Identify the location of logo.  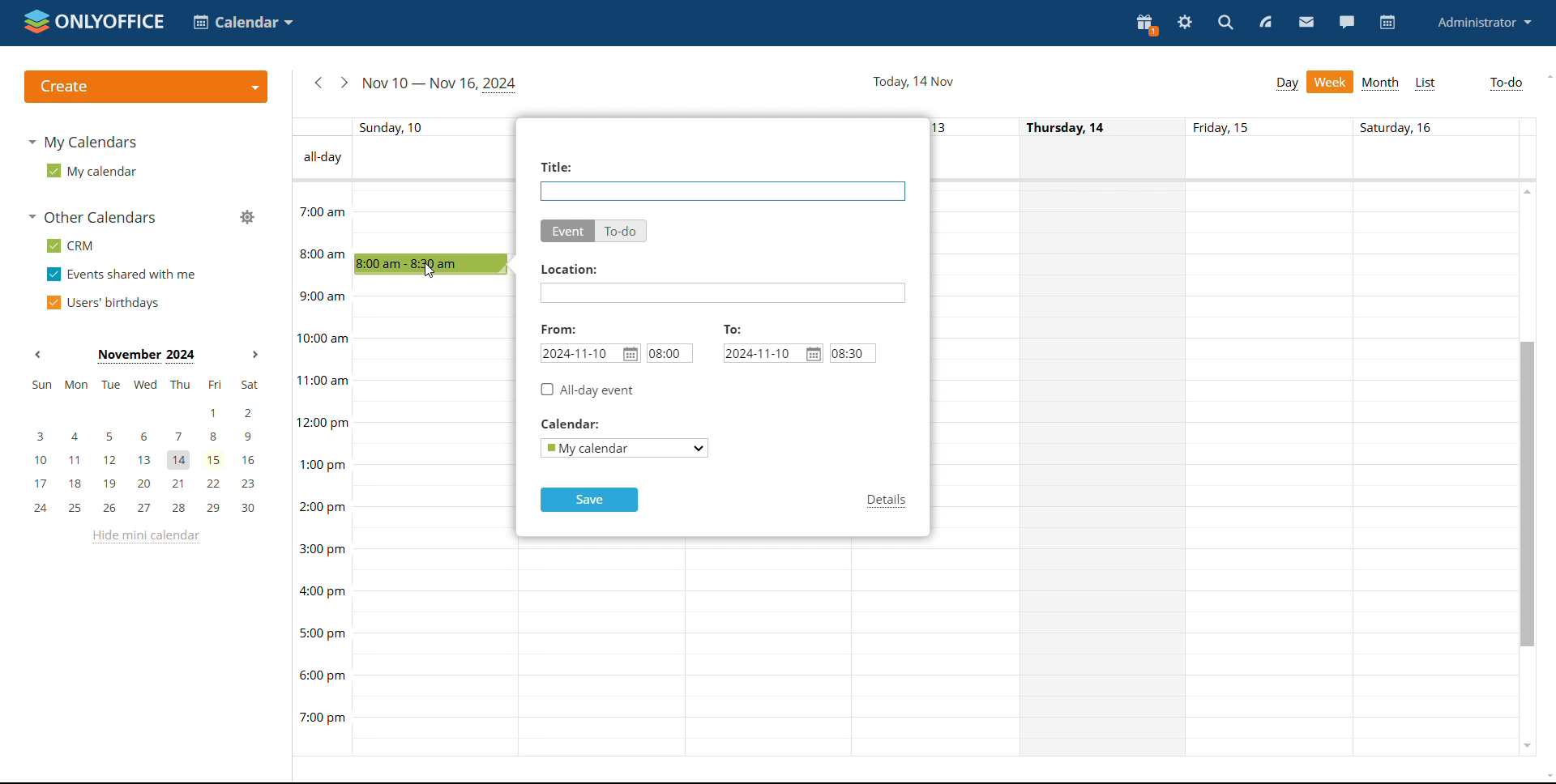
(94, 21).